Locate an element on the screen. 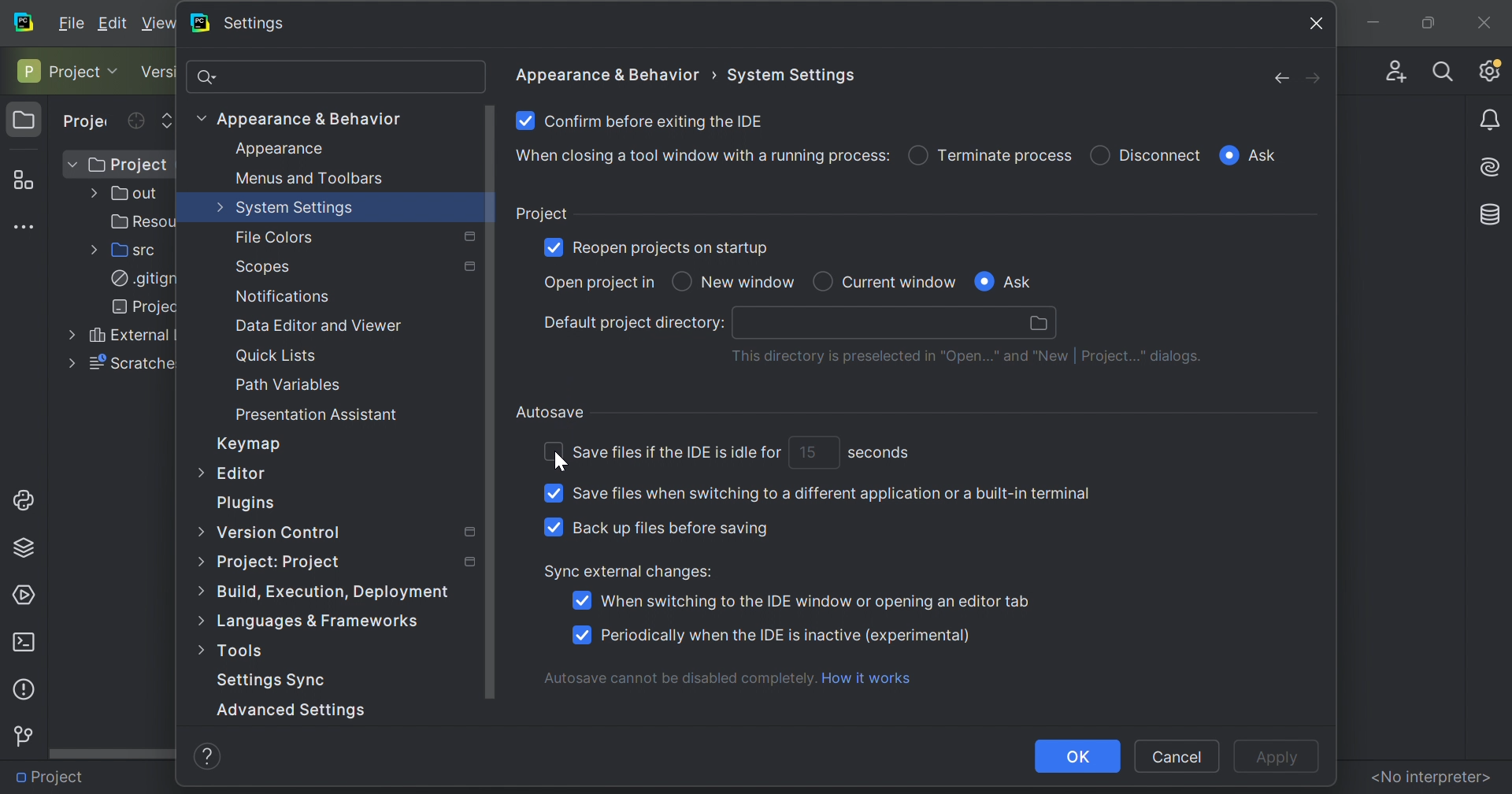 Image resolution: width=1512 pixels, height=794 pixels. Advanced Settings is located at coordinates (302, 708).